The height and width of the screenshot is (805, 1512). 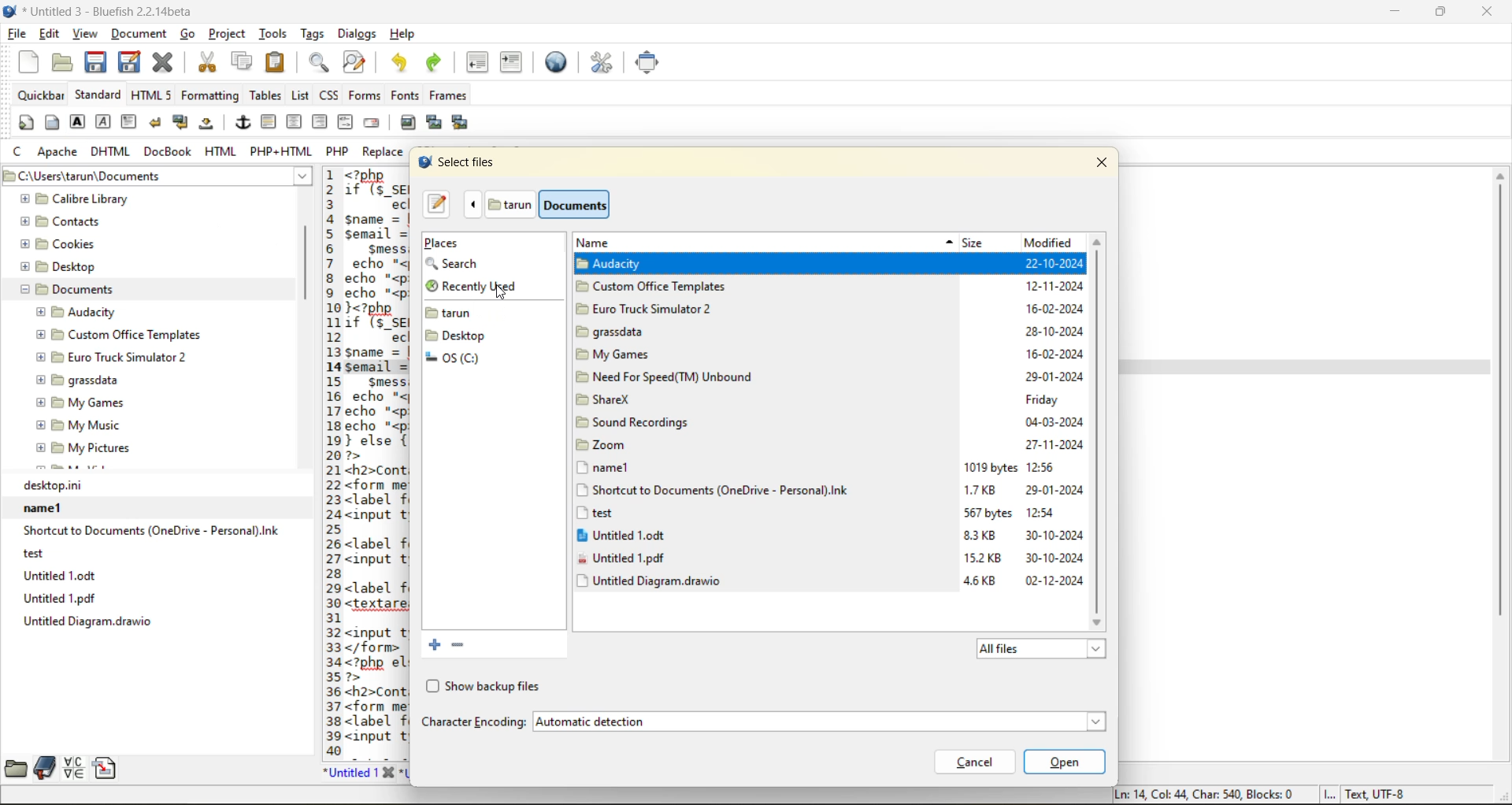 I want to click on paste, so click(x=274, y=61).